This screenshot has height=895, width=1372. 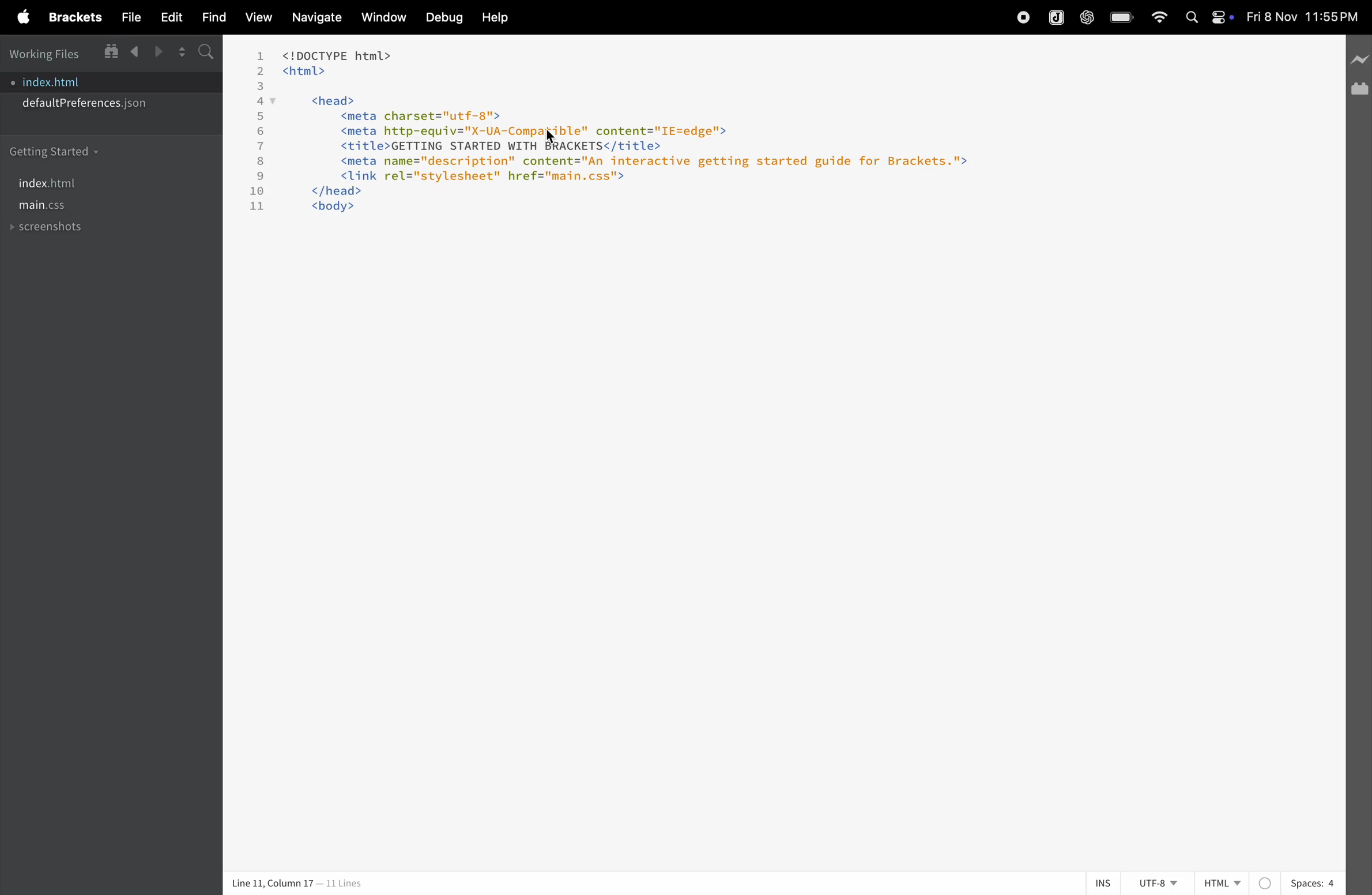 I want to click on working files, so click(x=48, y=54).